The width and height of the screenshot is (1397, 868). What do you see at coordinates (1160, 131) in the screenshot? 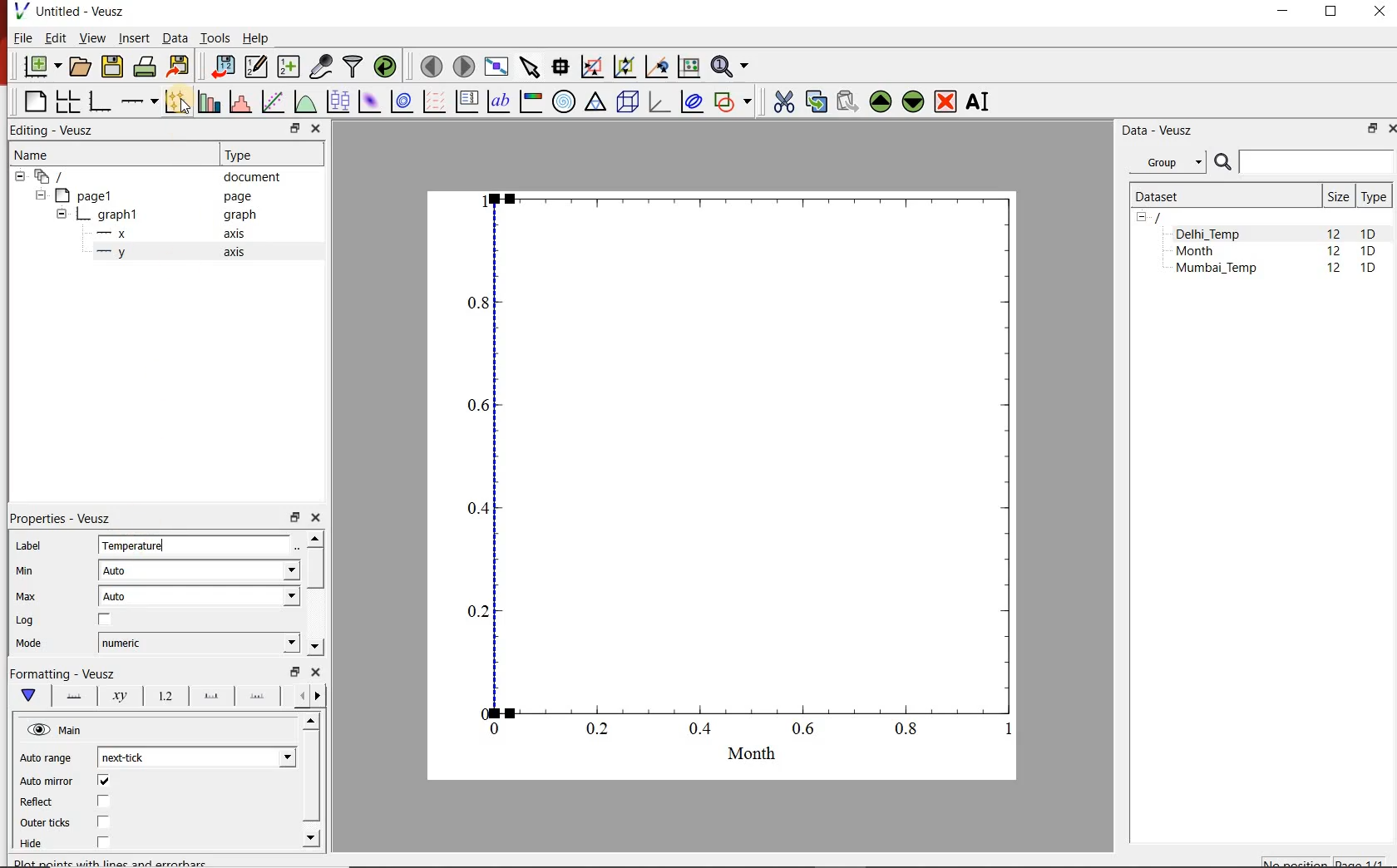
I see `Data - Veusz` at bounding box center [1160, 131].